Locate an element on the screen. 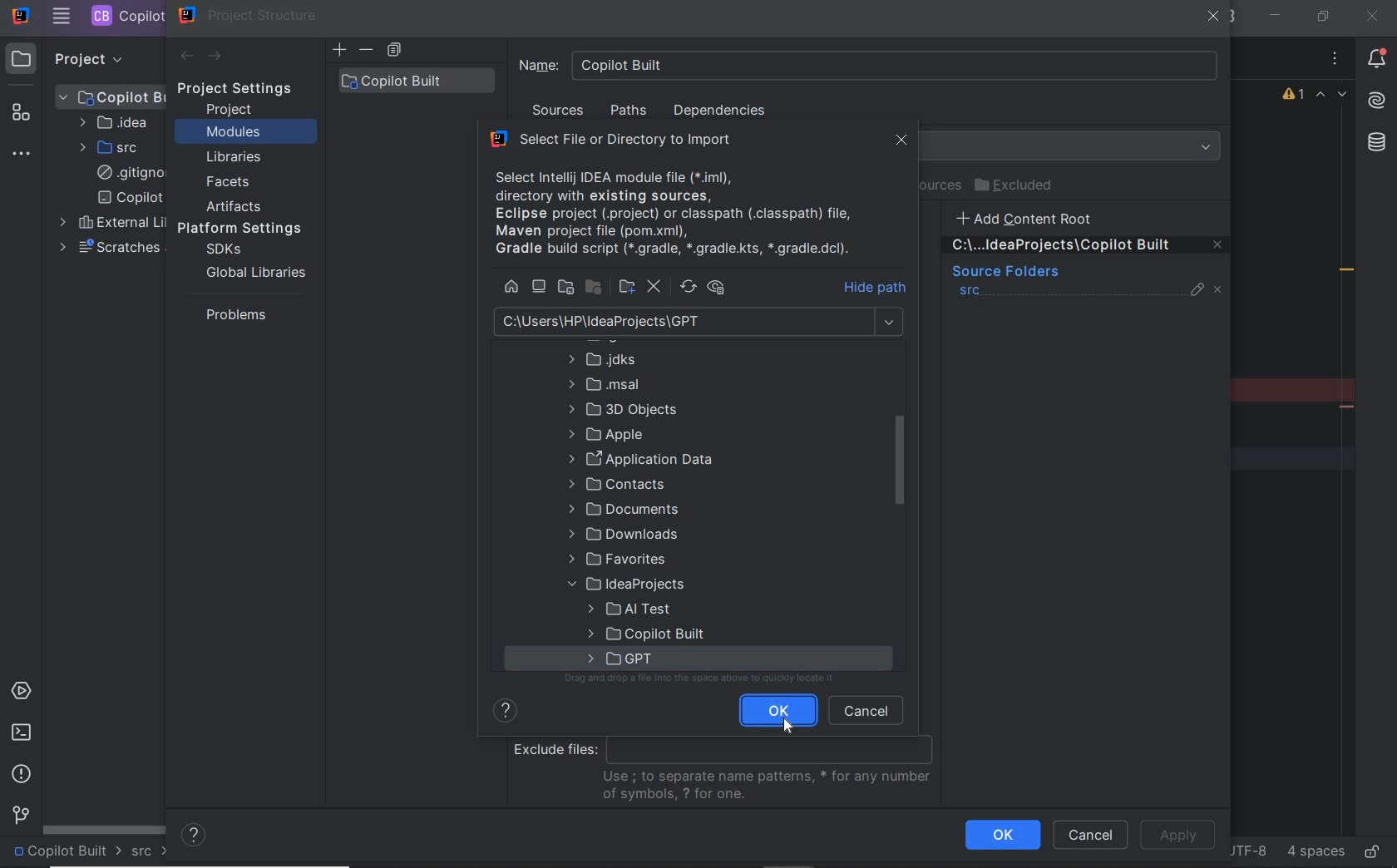 This screenshot has height=868, width=1397. folder is located at coordinates (624, 508).